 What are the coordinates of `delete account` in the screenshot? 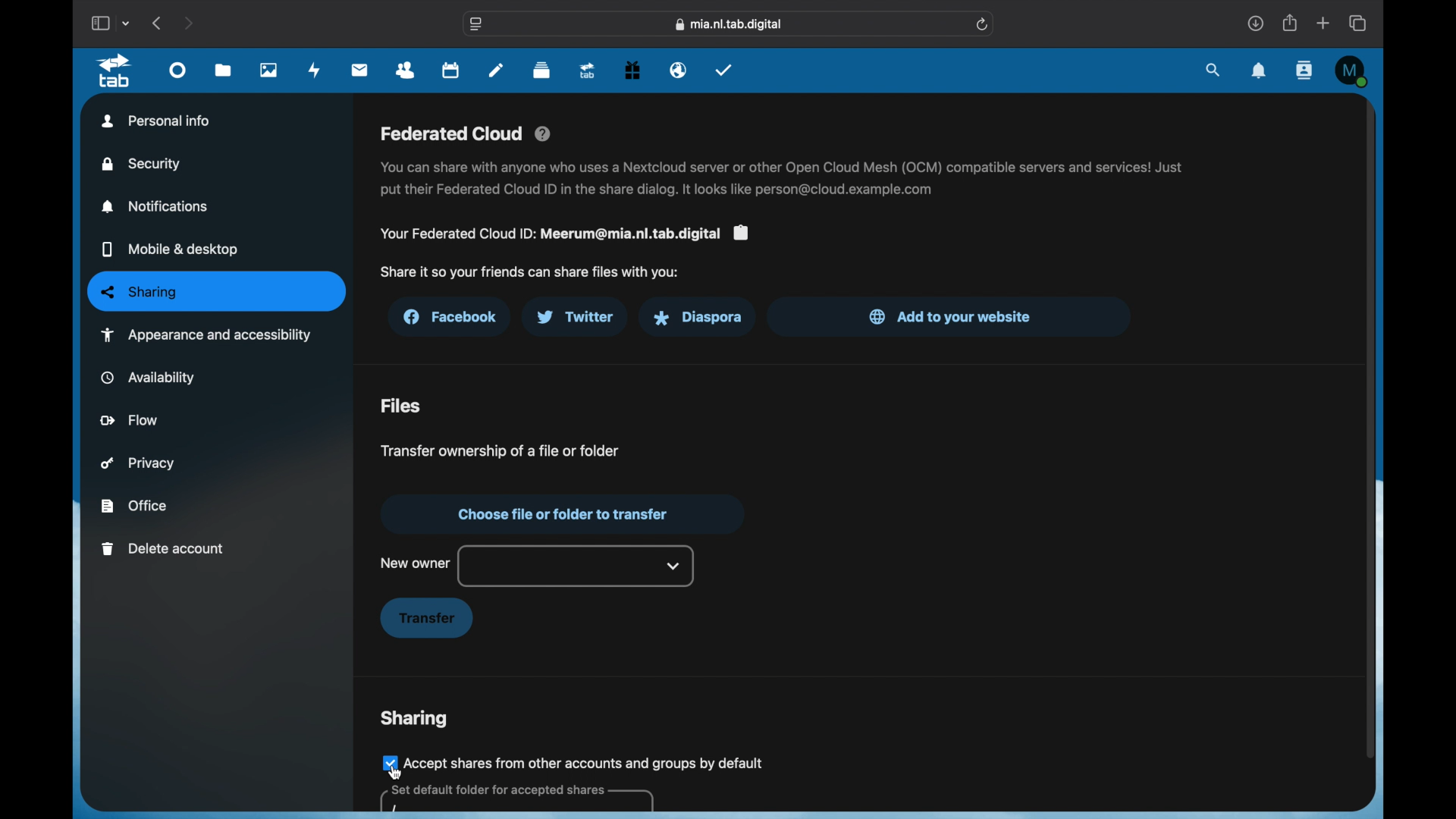 It's located at (163, 549).